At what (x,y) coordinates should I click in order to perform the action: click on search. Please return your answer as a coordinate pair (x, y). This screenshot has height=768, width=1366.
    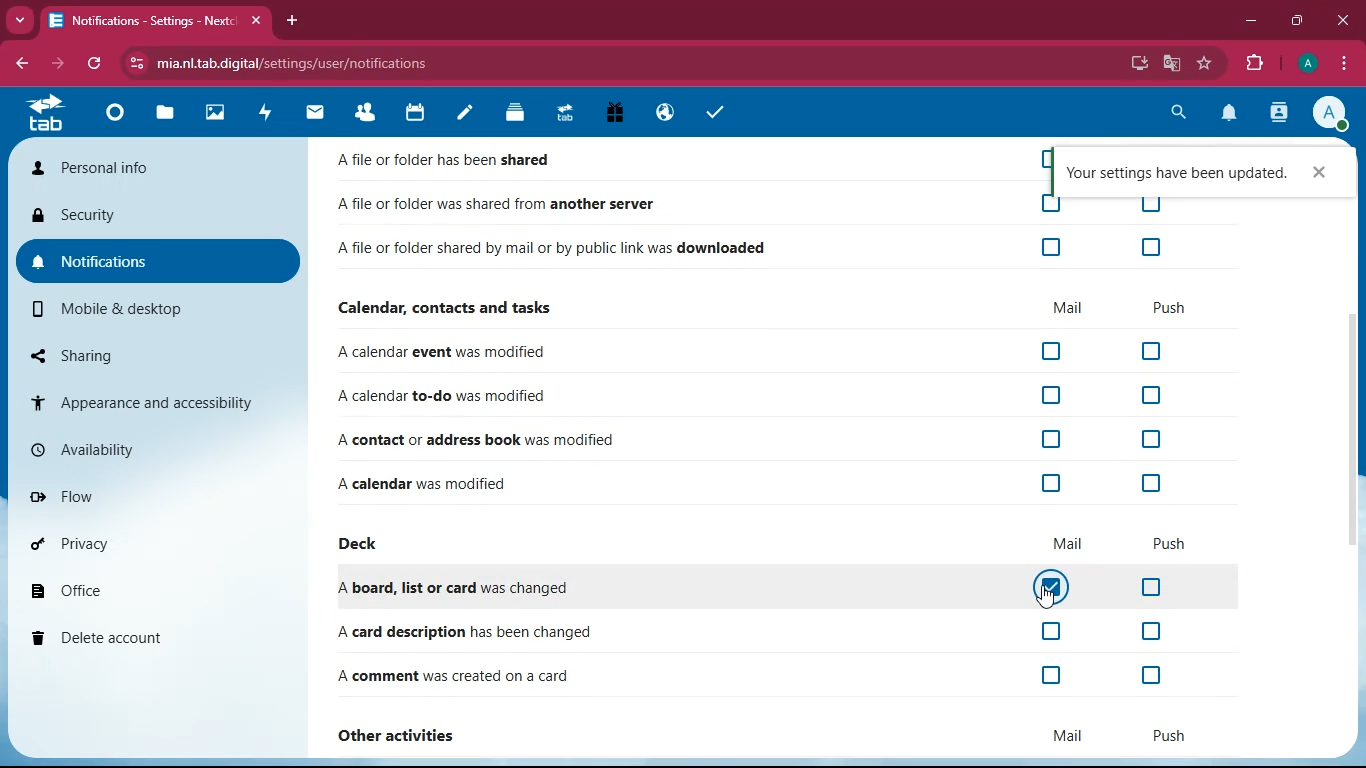
    Looking at the image, I should click on (1178, 111).